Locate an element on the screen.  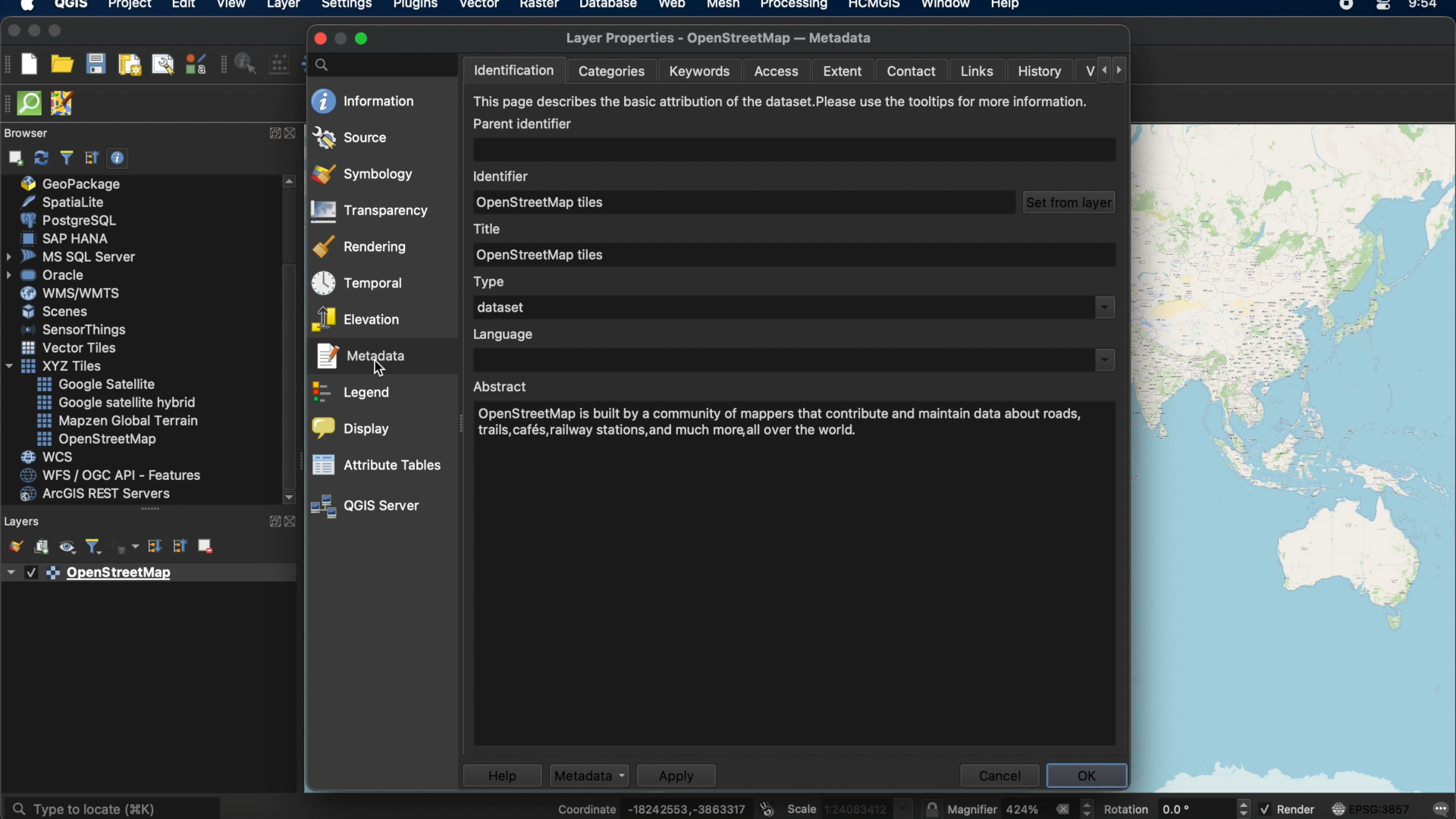
type to locate is located at coordinates (115, 804).